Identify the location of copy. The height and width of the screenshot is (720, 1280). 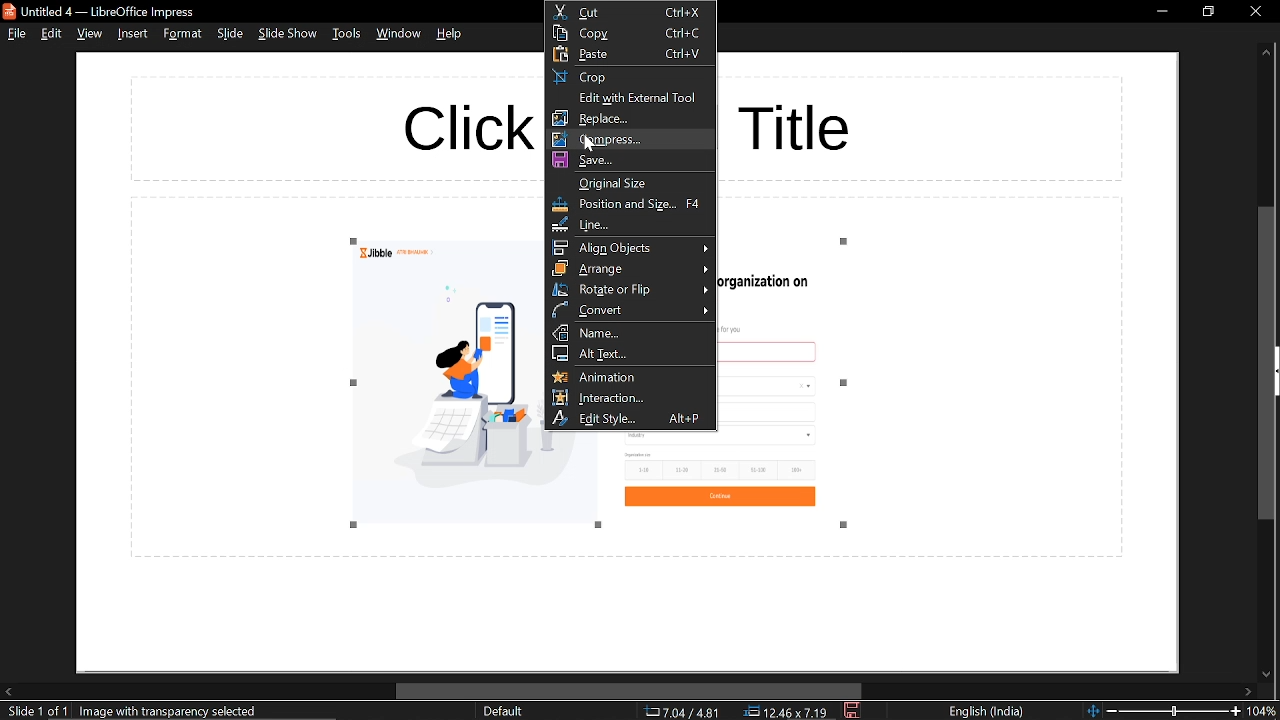
(600, 33).